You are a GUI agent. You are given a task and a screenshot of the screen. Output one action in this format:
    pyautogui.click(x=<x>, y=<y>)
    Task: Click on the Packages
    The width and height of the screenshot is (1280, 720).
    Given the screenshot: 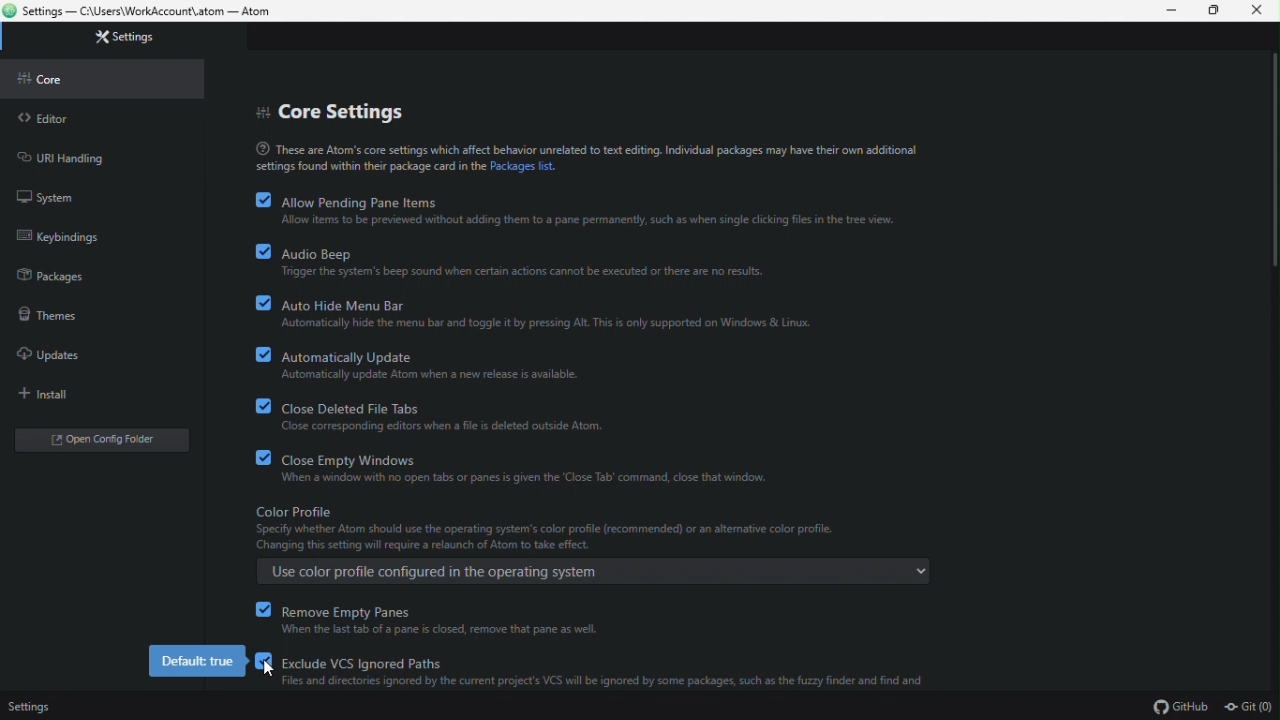 What is the action you would take?
    pyautogui.click(x=100, y=268)
    